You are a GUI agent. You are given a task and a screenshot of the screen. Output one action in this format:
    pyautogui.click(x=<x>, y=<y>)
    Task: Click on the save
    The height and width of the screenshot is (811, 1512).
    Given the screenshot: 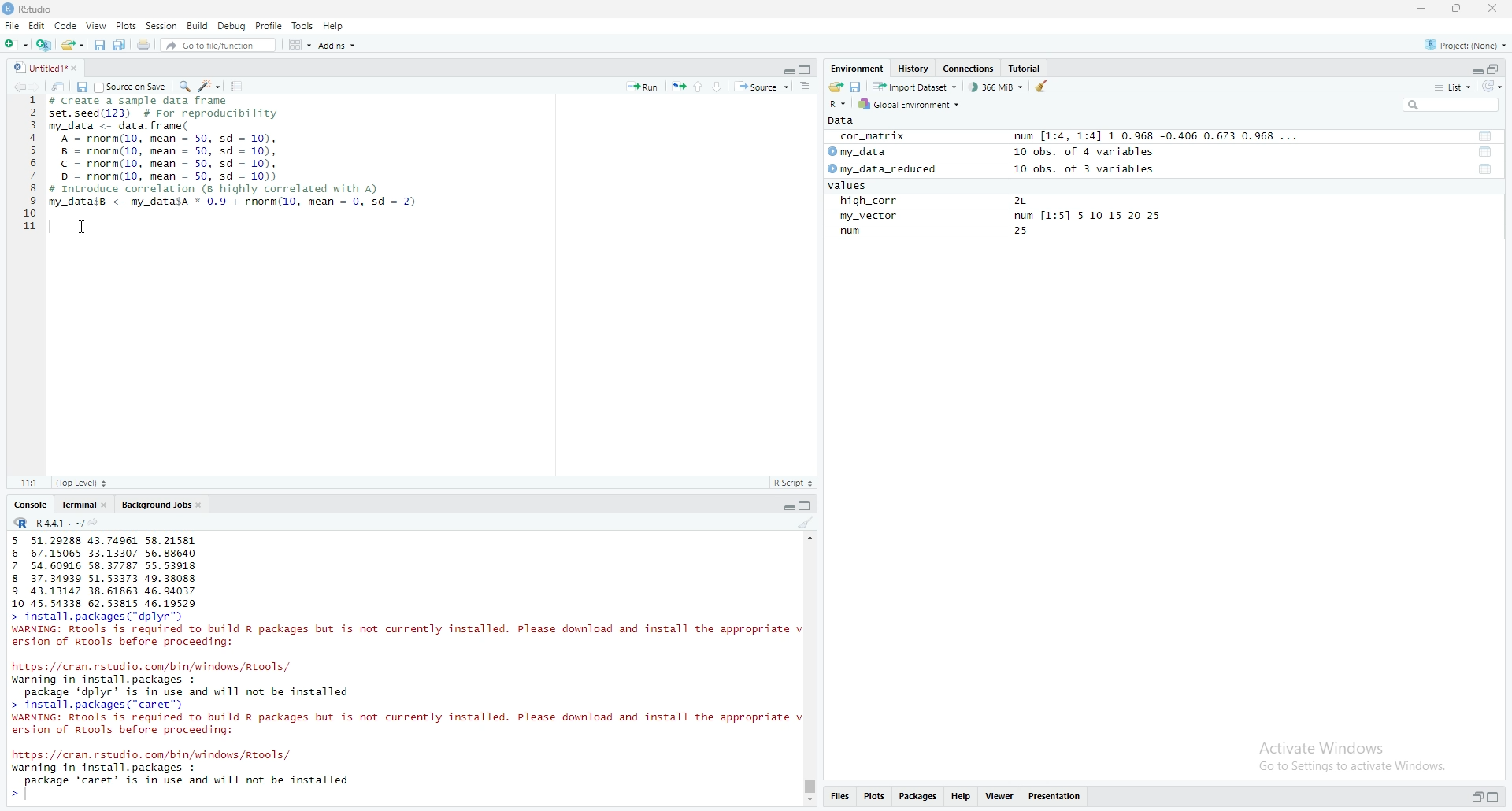 What is the action you would take?
    pyautogui.click(x=101, y=46)
    